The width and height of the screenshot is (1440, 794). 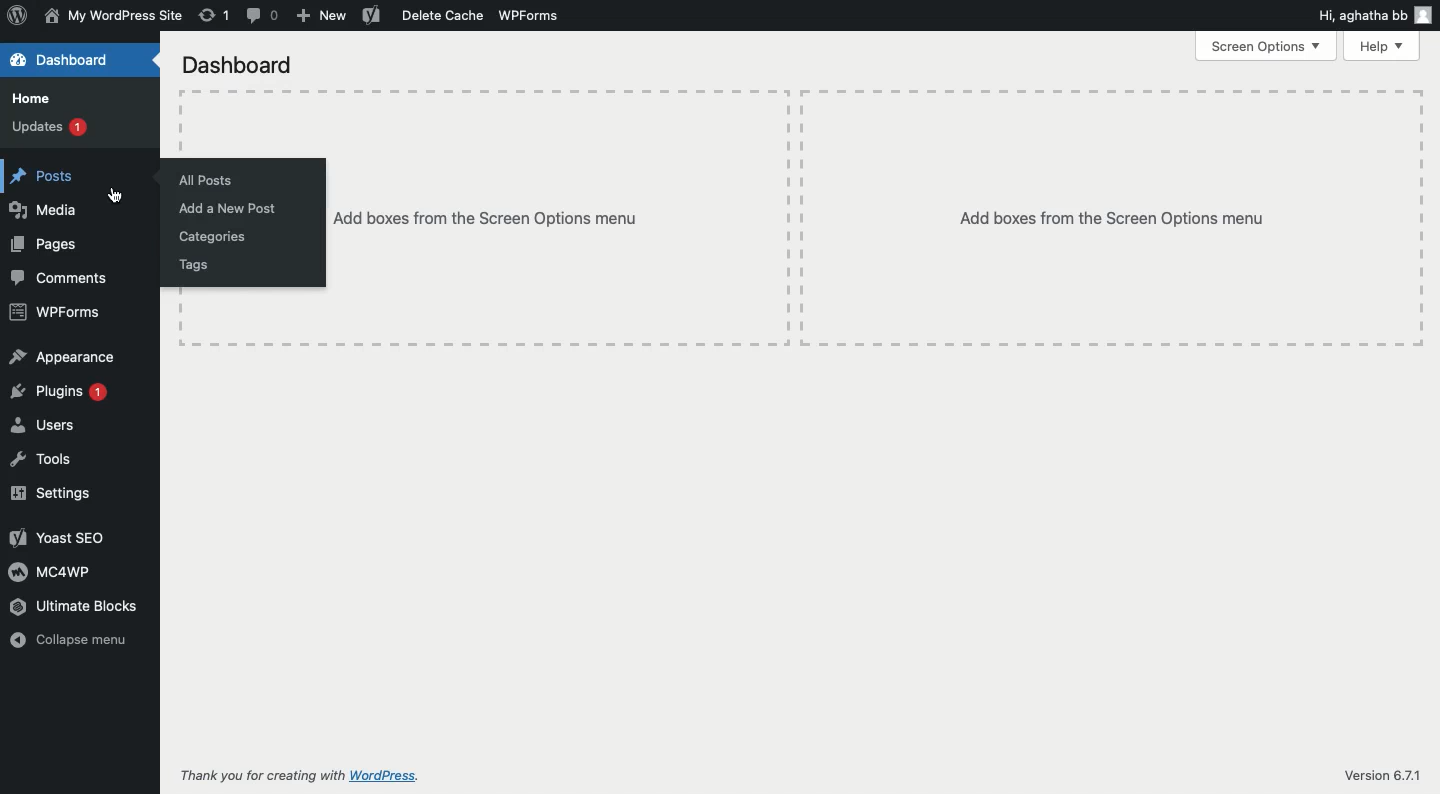 What do you see at coordinates (873, 218) in the screenshot?
I see `Add boxes from the screen options menu` at bounding box center [873, 218].